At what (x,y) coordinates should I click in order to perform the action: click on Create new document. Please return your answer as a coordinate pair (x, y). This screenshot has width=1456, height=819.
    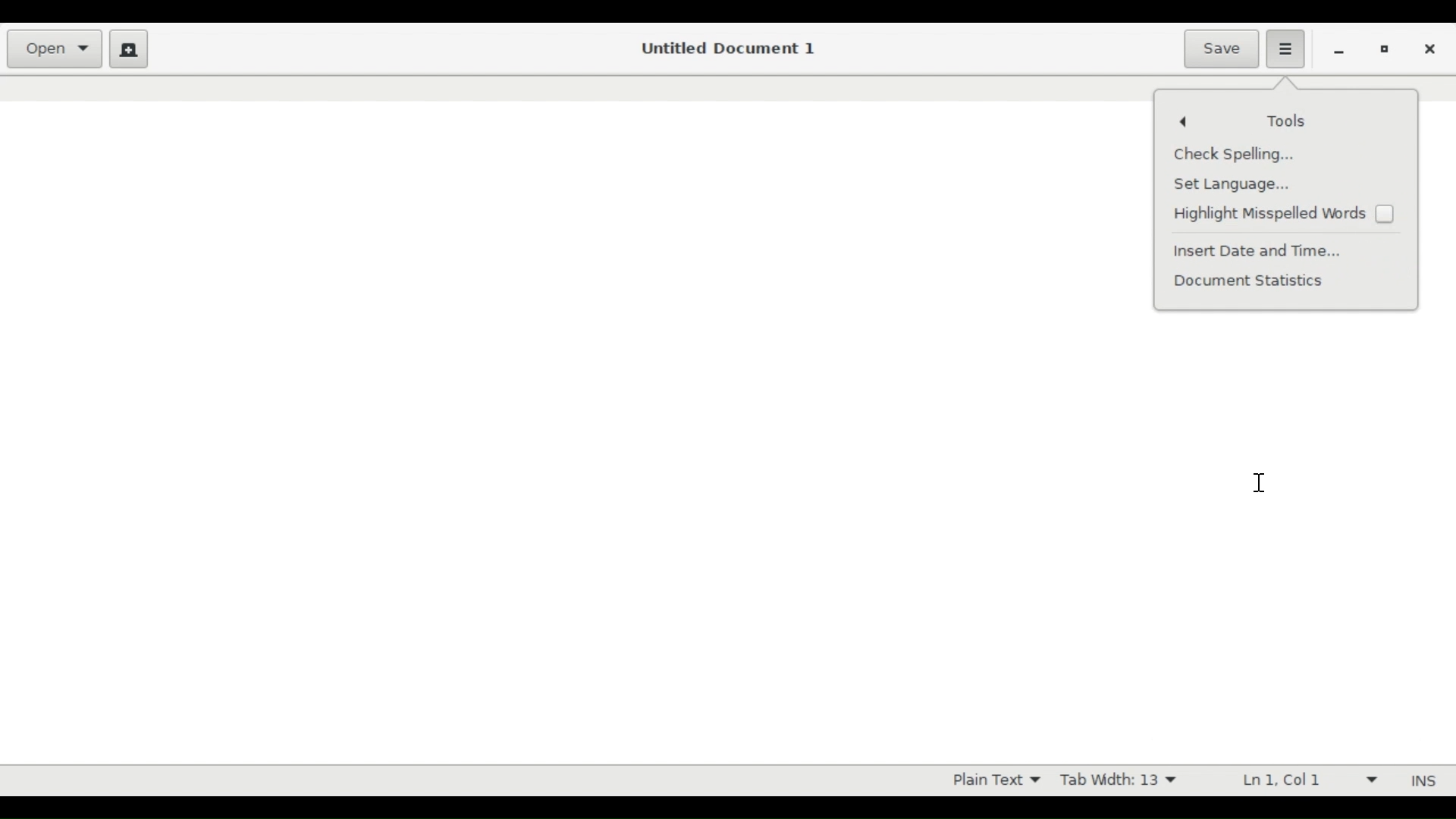
    Looking at the image, I should click on (130, 49).